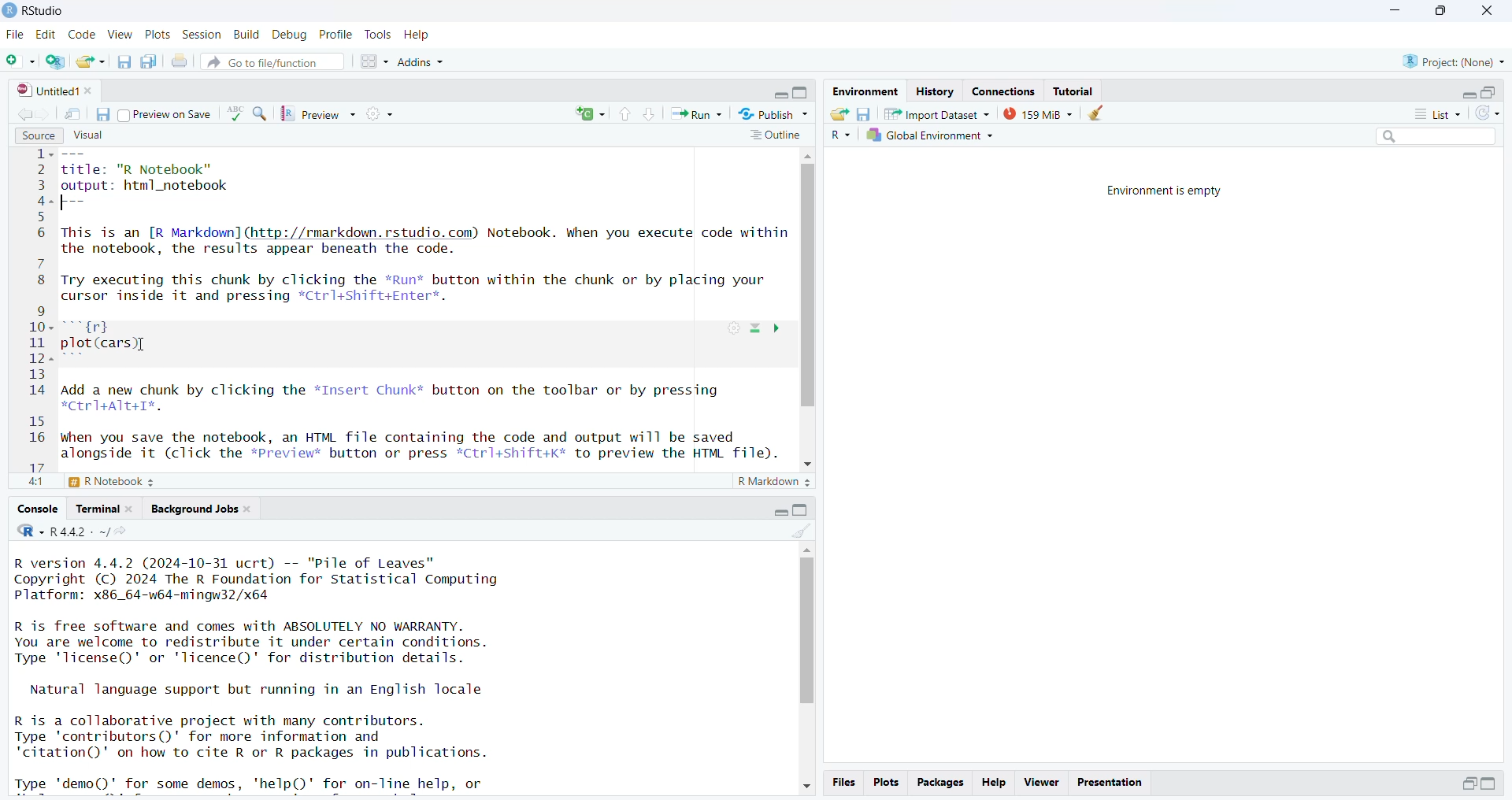 Image resolution: width=1512 pixels, height=800 pixels. I want to click on refresh list, so click(1487, 114).